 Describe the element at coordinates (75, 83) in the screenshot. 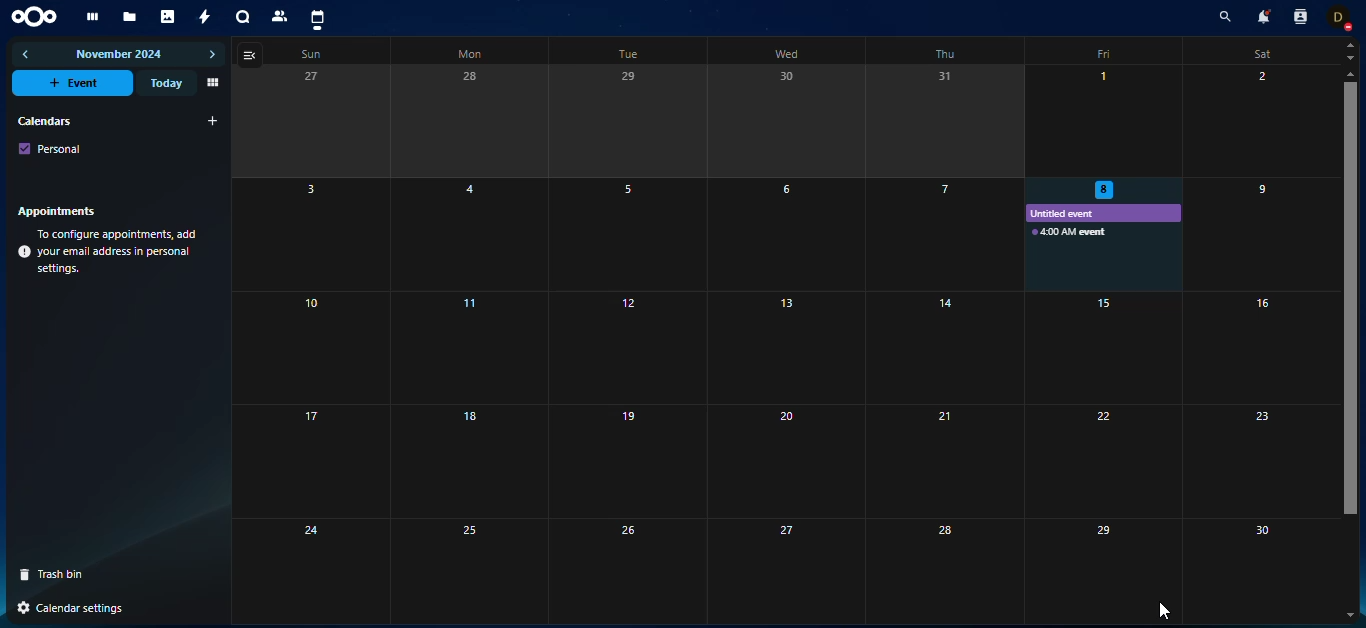

I see `event` at that location.